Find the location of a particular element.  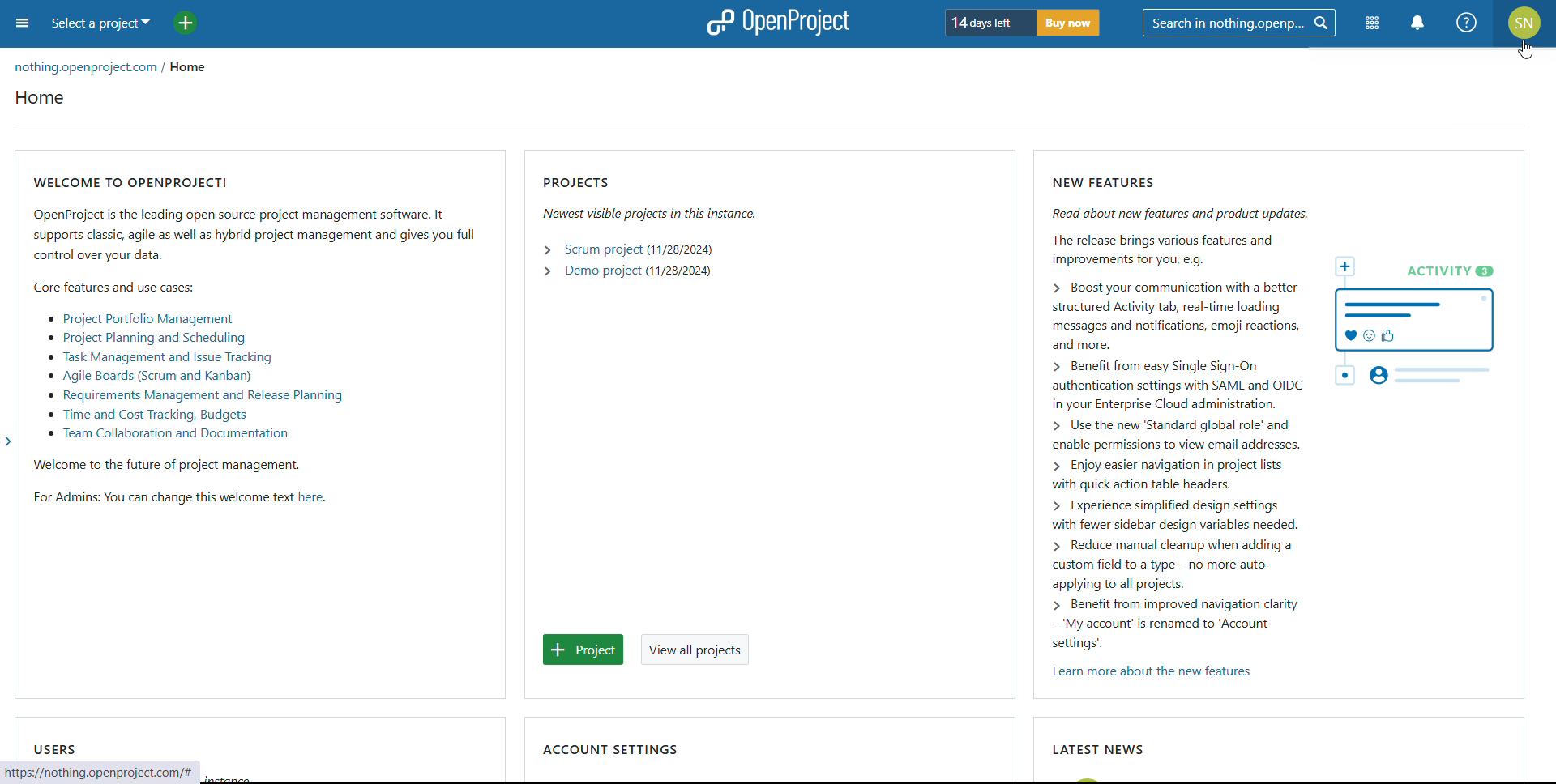

home is located at coordinates (190, 70).